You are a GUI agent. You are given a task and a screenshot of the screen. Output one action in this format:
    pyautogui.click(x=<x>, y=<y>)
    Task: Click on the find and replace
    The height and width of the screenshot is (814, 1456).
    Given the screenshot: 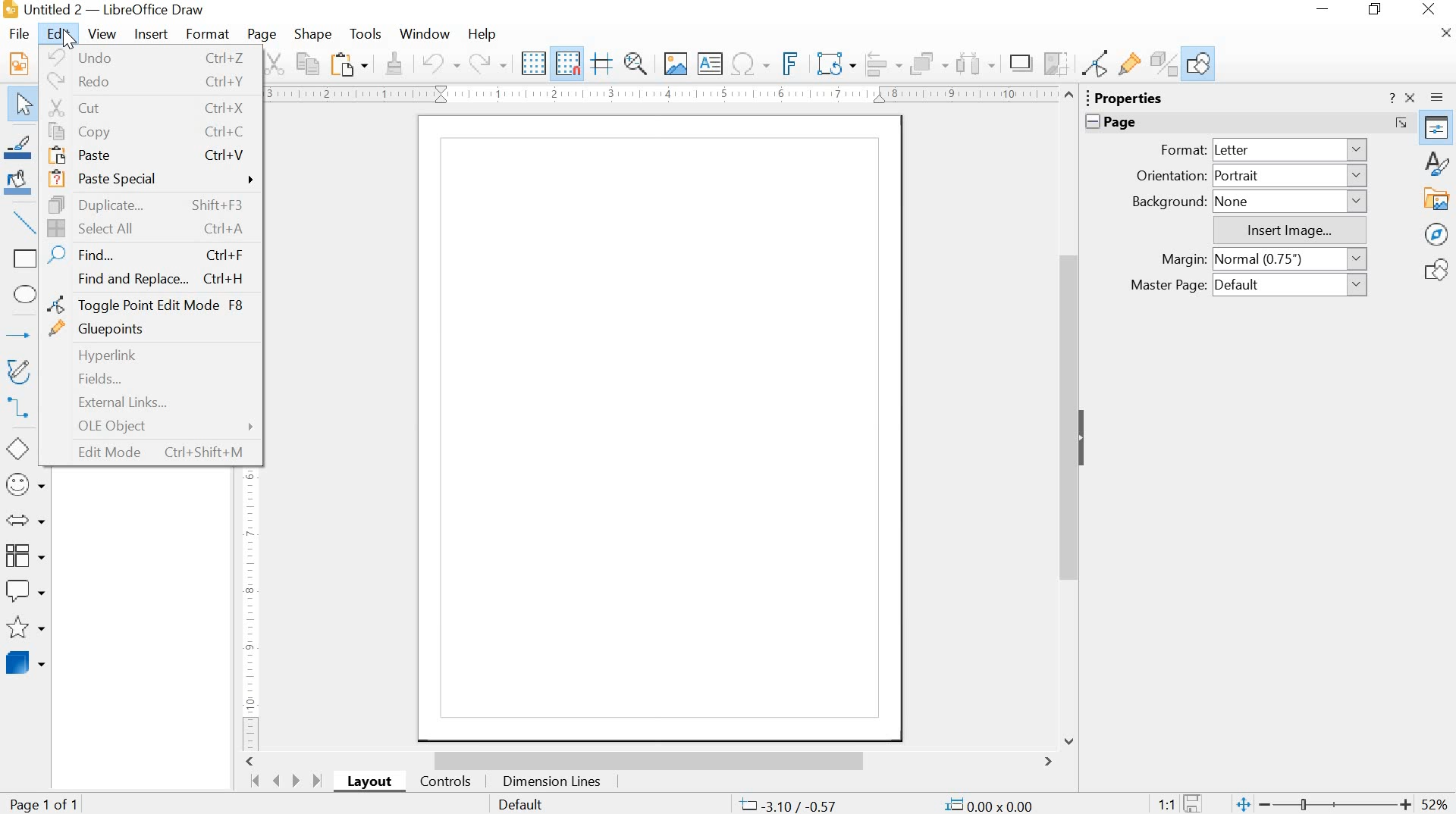 What is the action you would take?
    pyautogui.click(x=149, y=279)
    